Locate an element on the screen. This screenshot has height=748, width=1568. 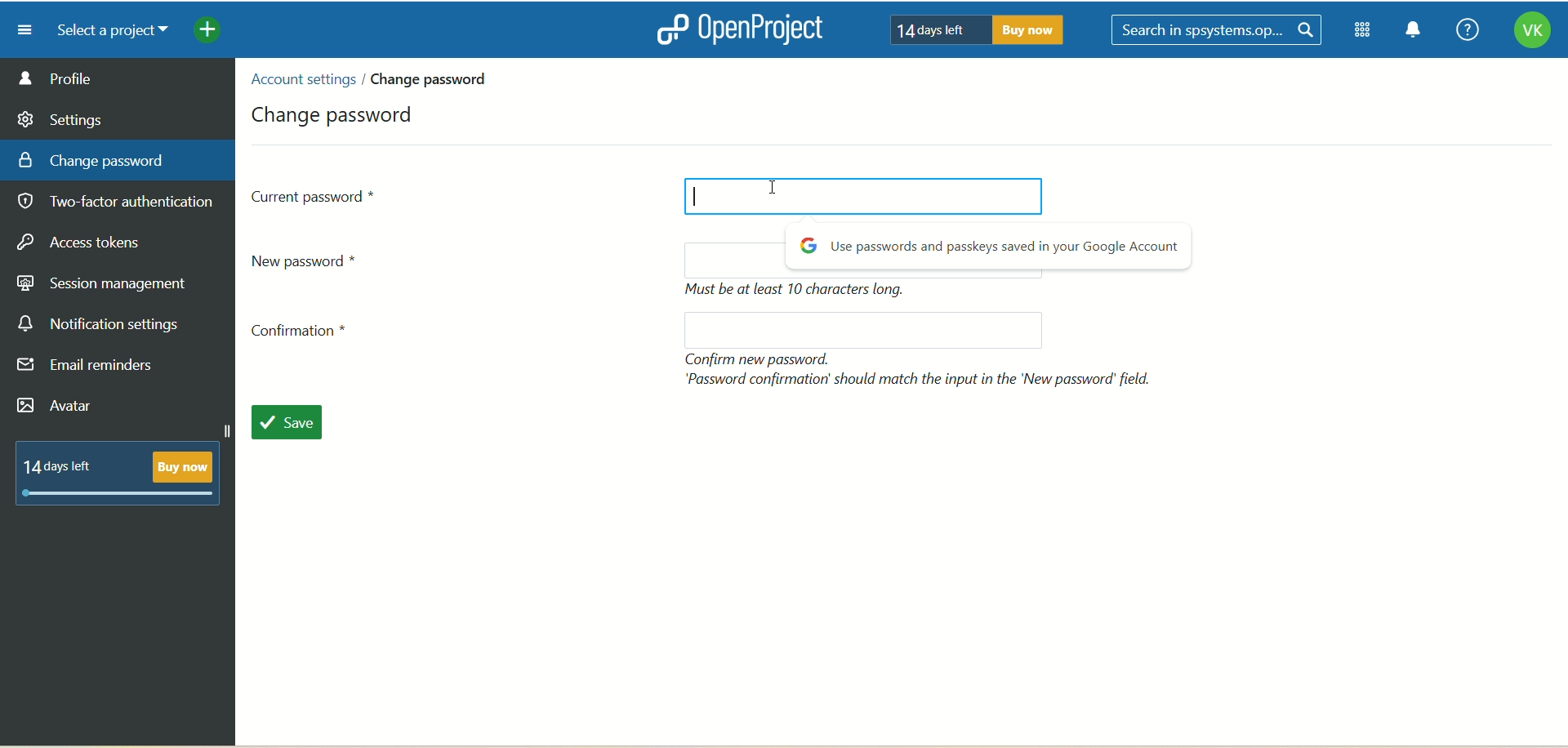
text is located at coordinates (801, 291).